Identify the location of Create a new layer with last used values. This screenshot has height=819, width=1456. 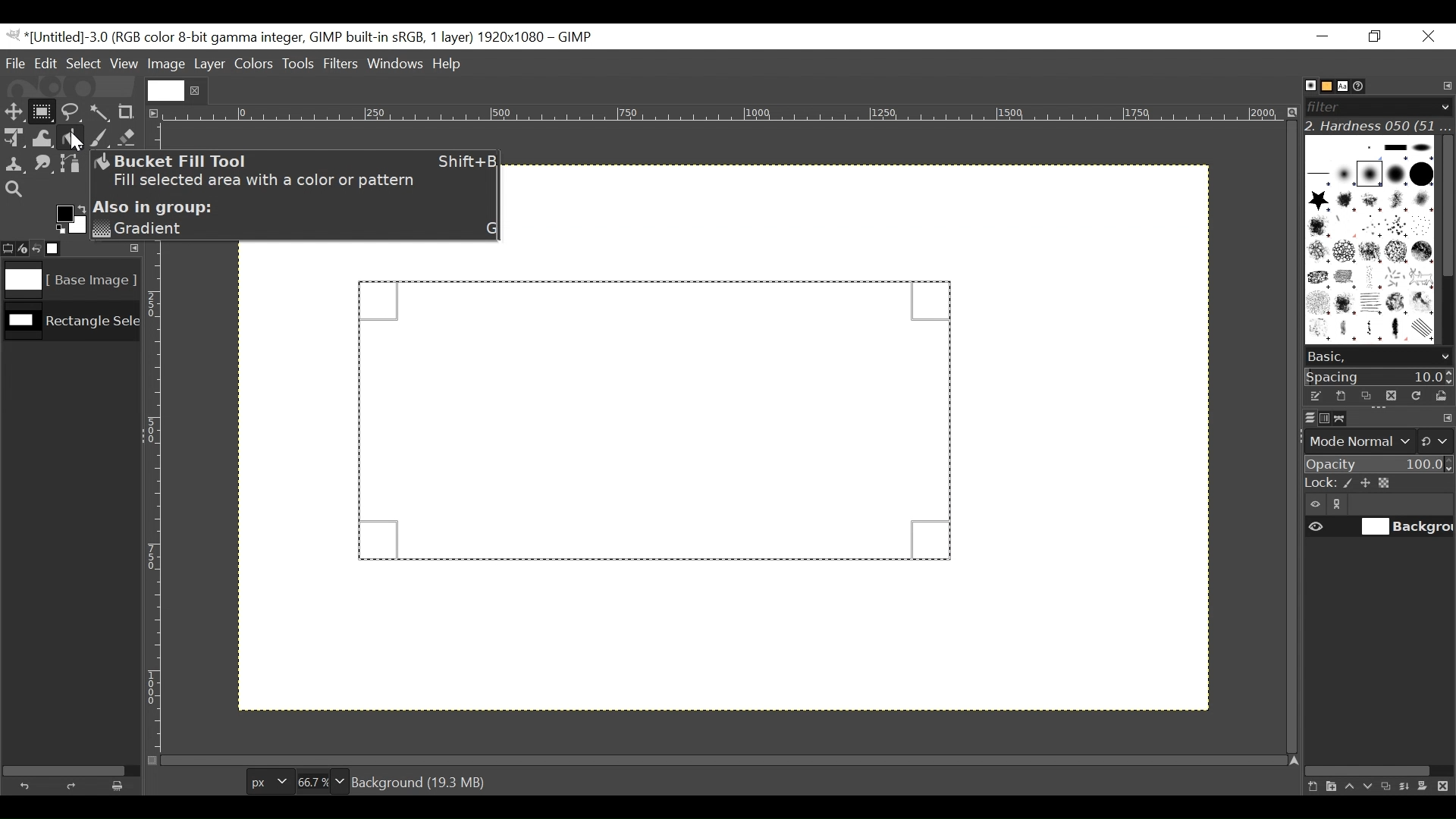
(1310, 787).